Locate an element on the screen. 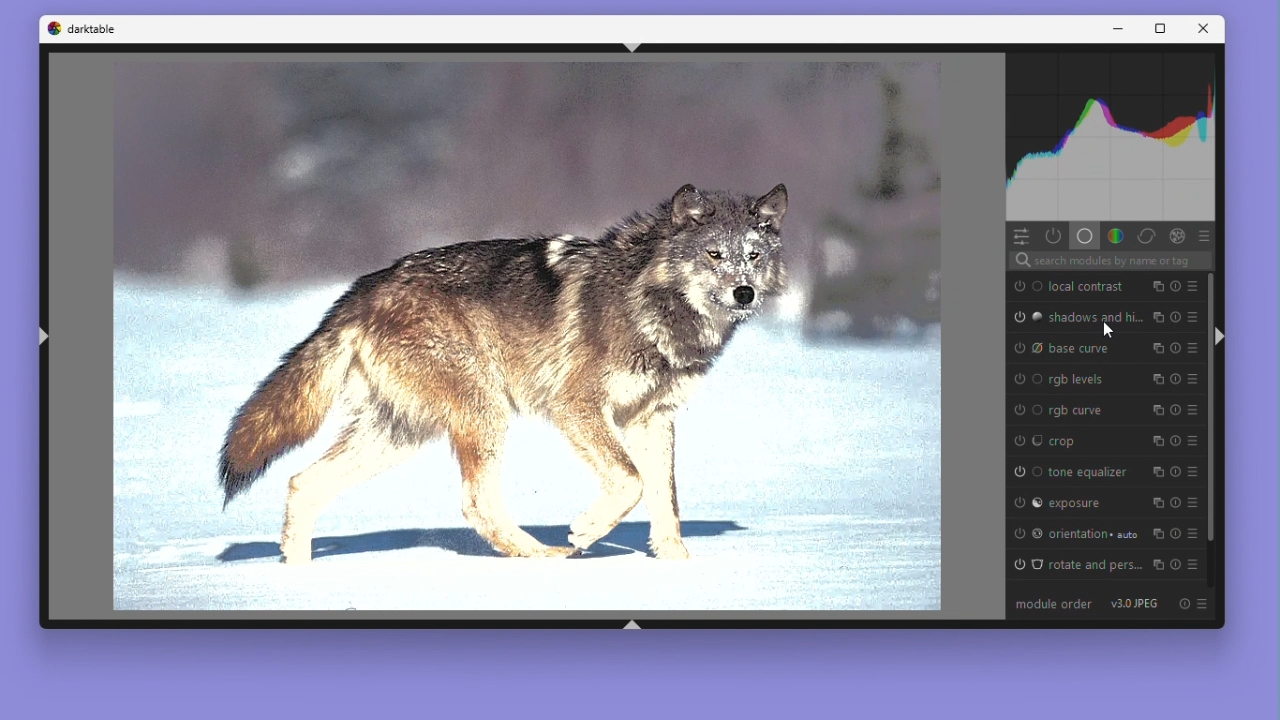  Quick access is located at coordinates (1020, 235).